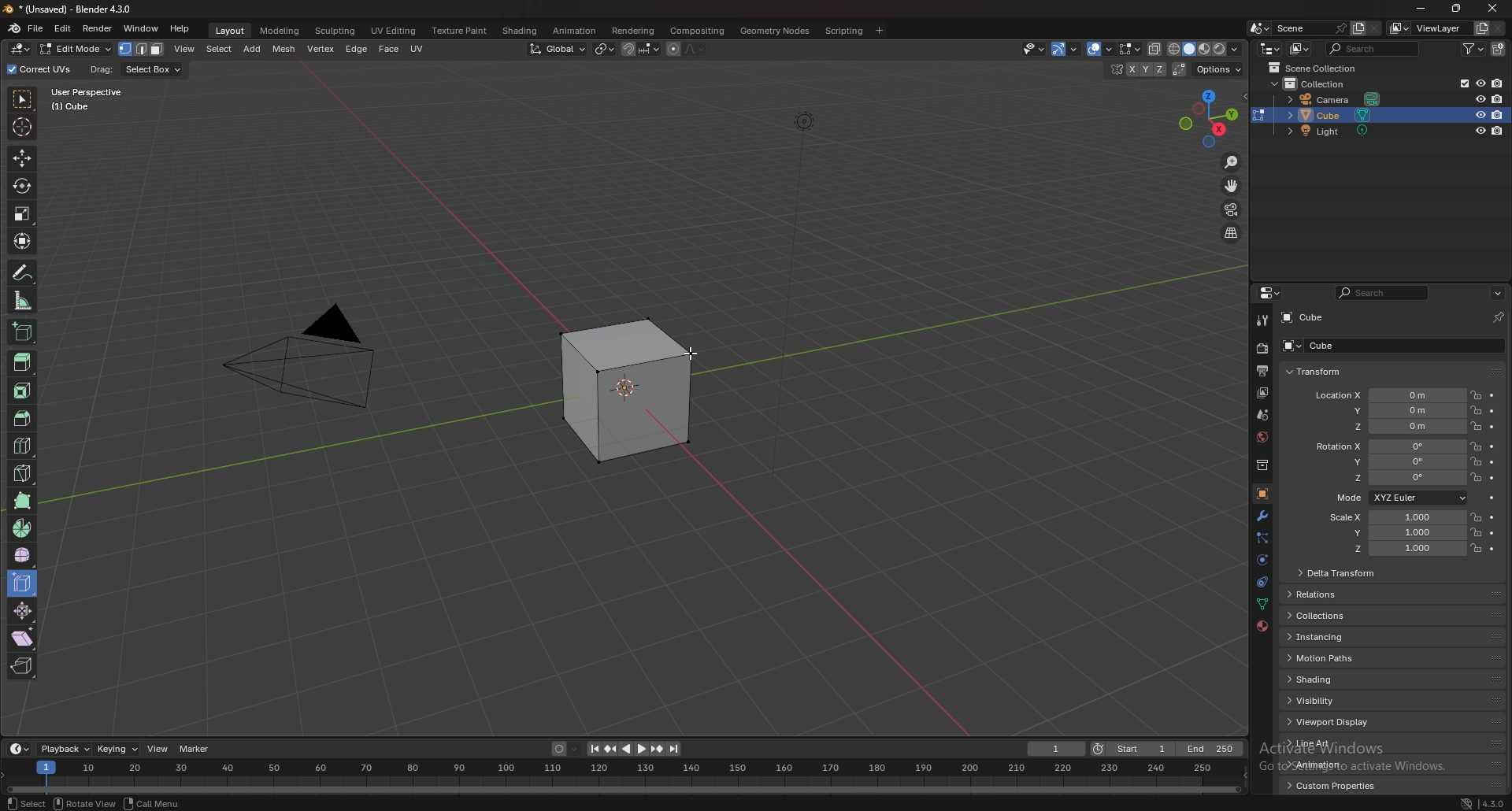  What do you see at coordinates (180, 30) in the screenshot?
I see `help` at bounding box center [180, 30].